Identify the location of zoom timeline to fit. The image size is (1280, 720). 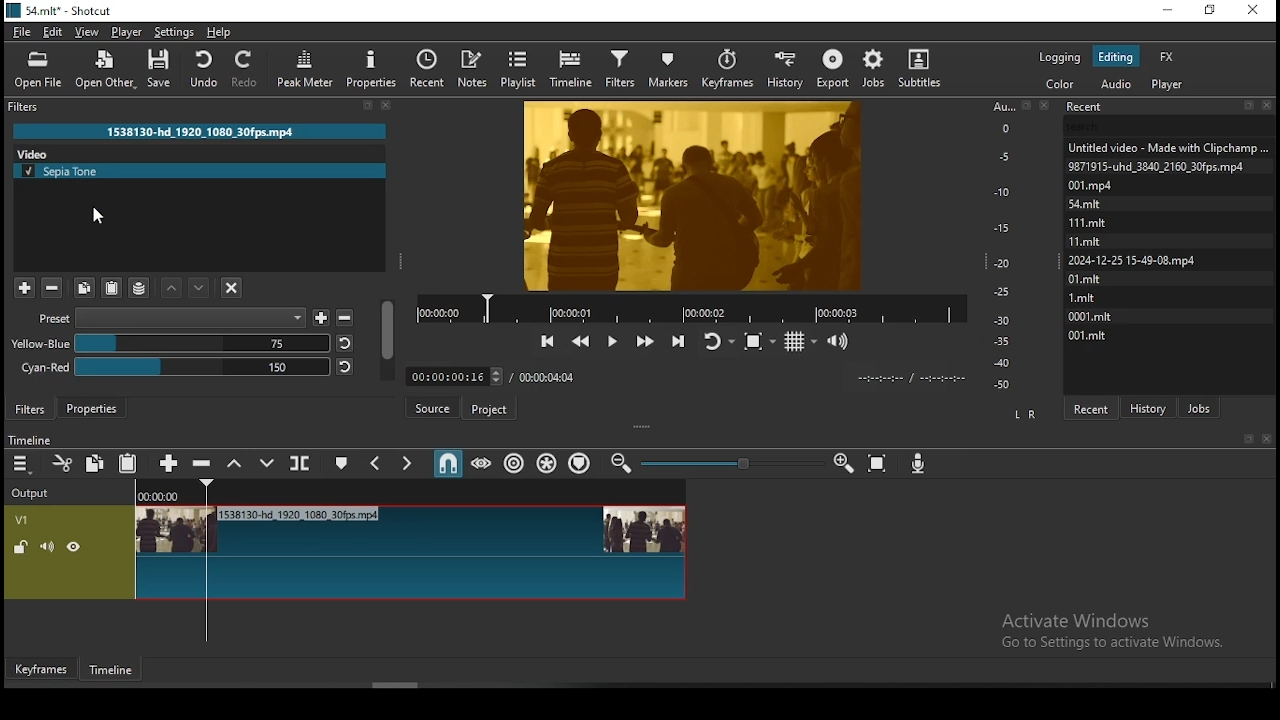
(881, 465).